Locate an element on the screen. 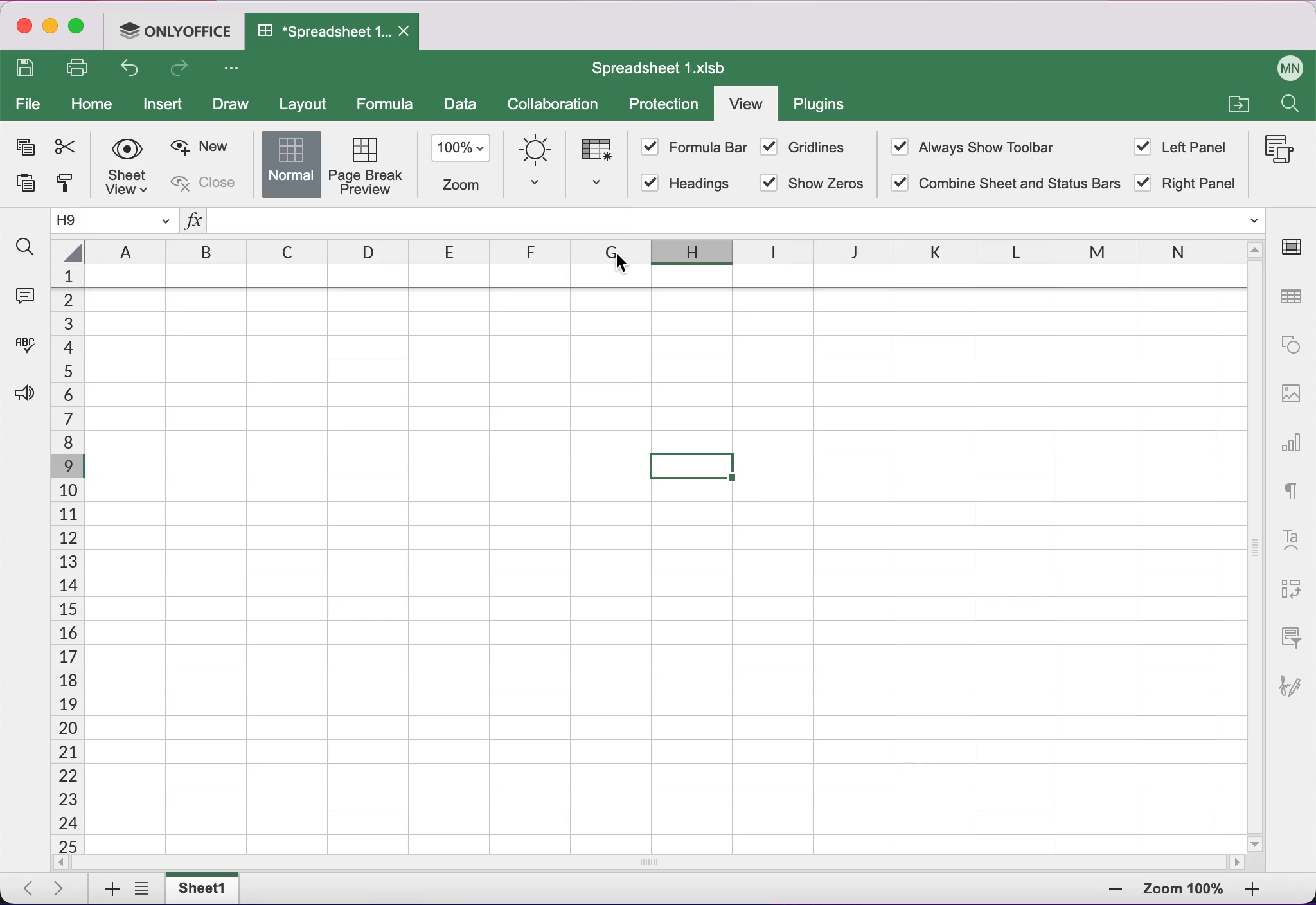 Image resolution: width=1316 pixels, height=905 pixels.  is located at coordinates (1288, 296).